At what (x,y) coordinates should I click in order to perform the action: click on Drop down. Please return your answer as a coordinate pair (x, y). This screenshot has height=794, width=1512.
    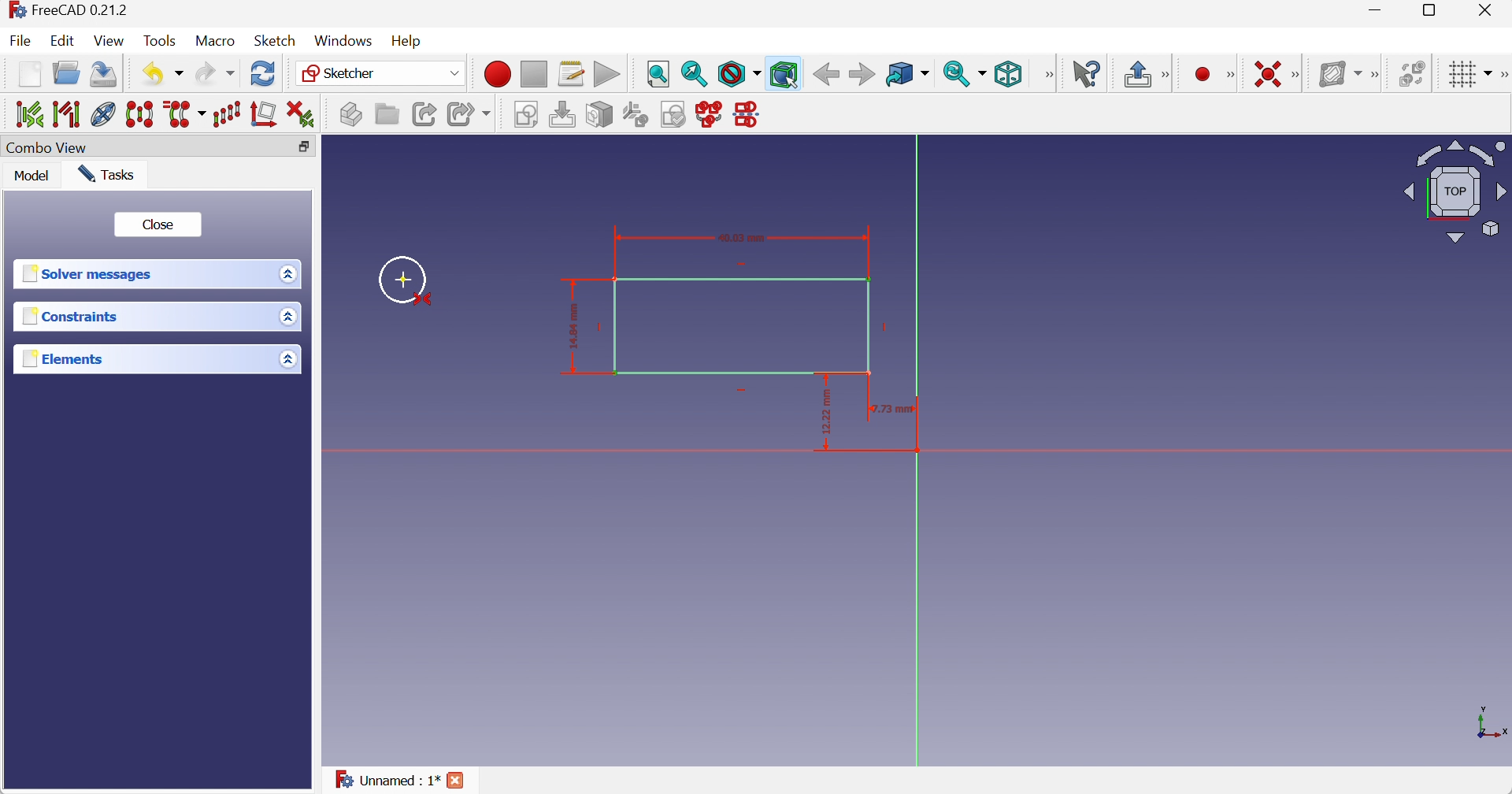
    Looking at the image, I should click on (291, 317).